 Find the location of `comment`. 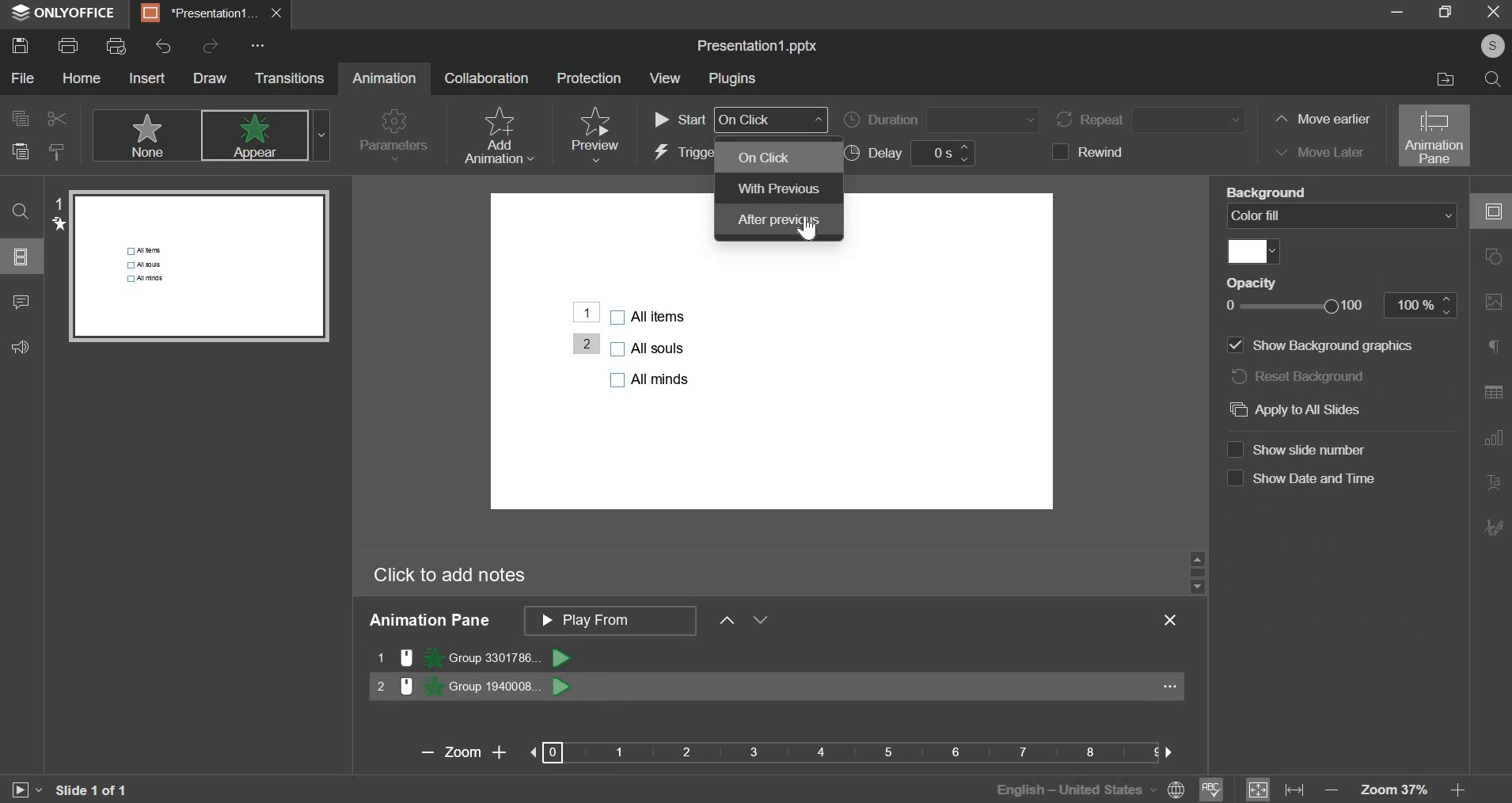

comment is located at coordinates (20, 304).